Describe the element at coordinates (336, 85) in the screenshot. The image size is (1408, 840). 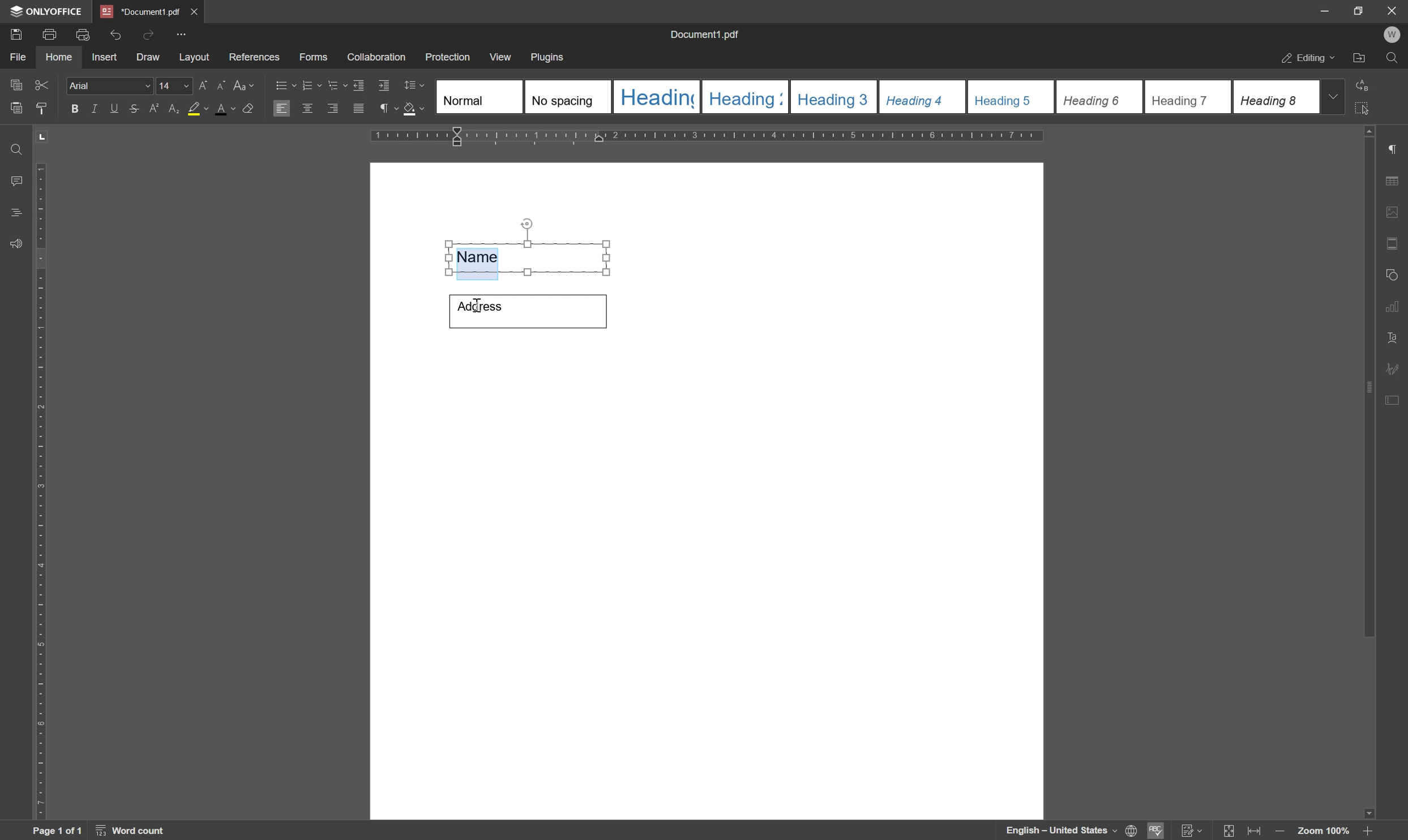
I see `multilevel list` at that location.